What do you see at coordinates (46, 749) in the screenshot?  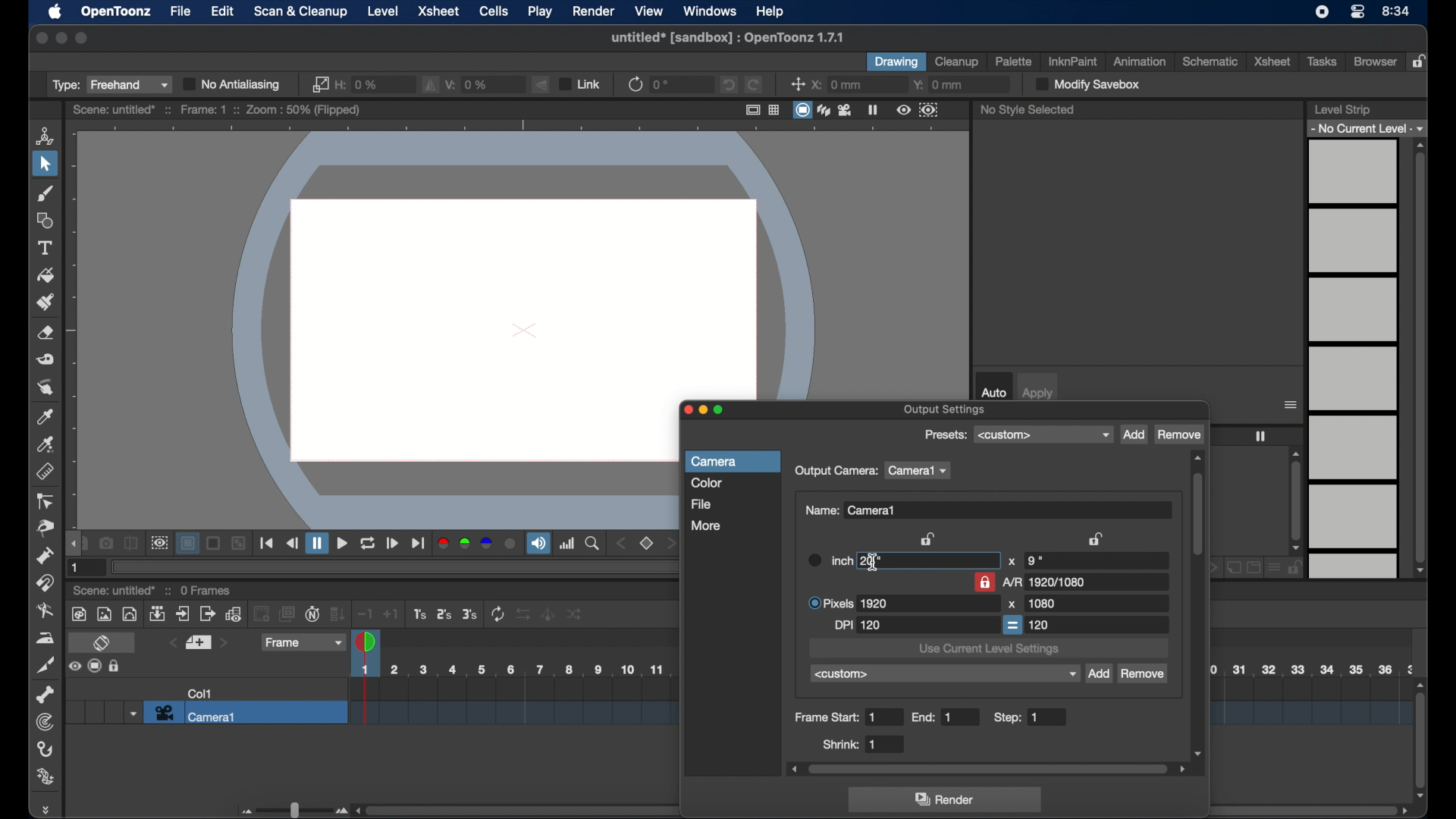 I see `hook tool` at bounding box center [46, 749].